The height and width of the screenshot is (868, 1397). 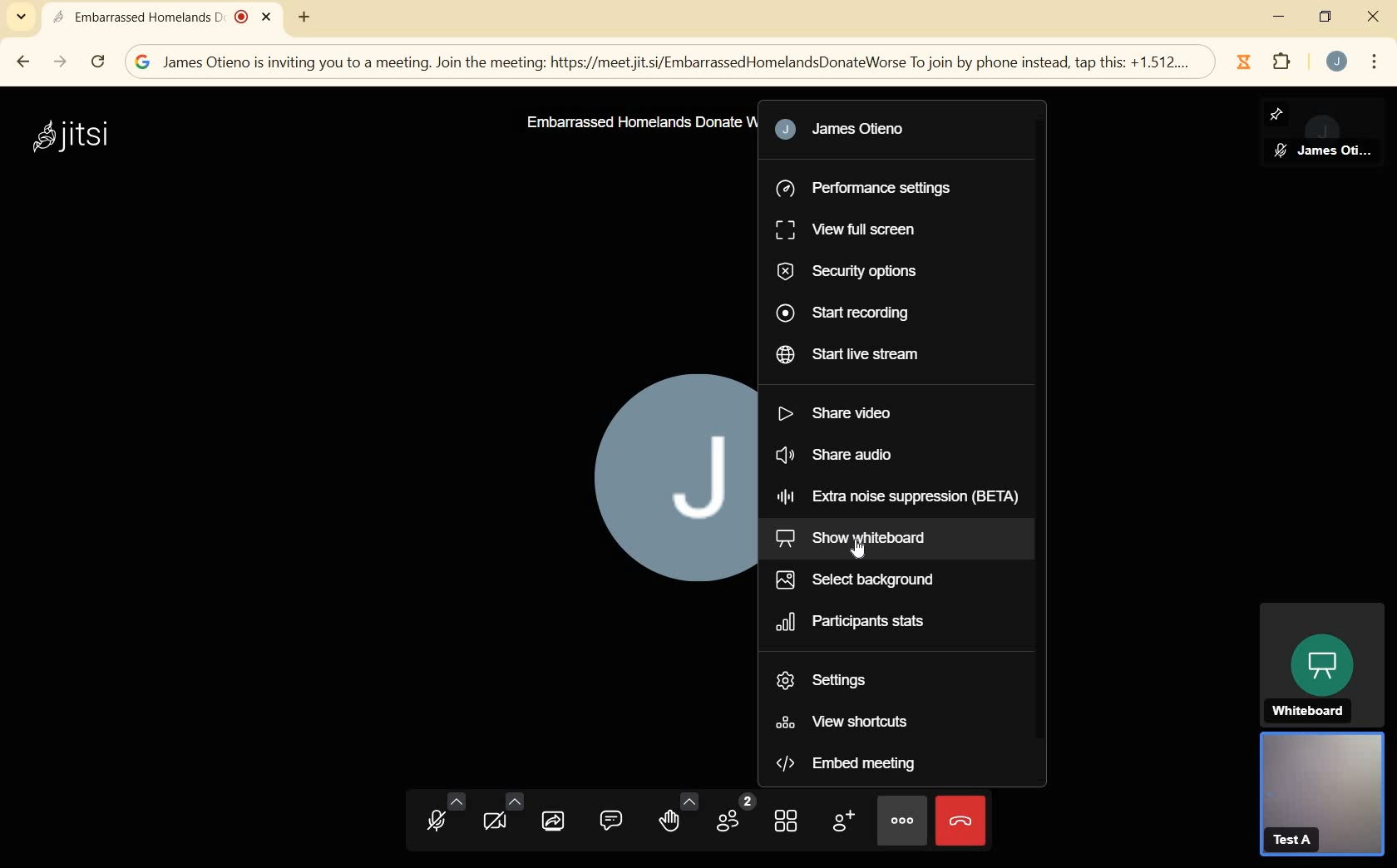 What do you see at coordinates (855, 131) in the screenshot?
I see `ACCOUNT NAME` at bounding box center [855, 131].